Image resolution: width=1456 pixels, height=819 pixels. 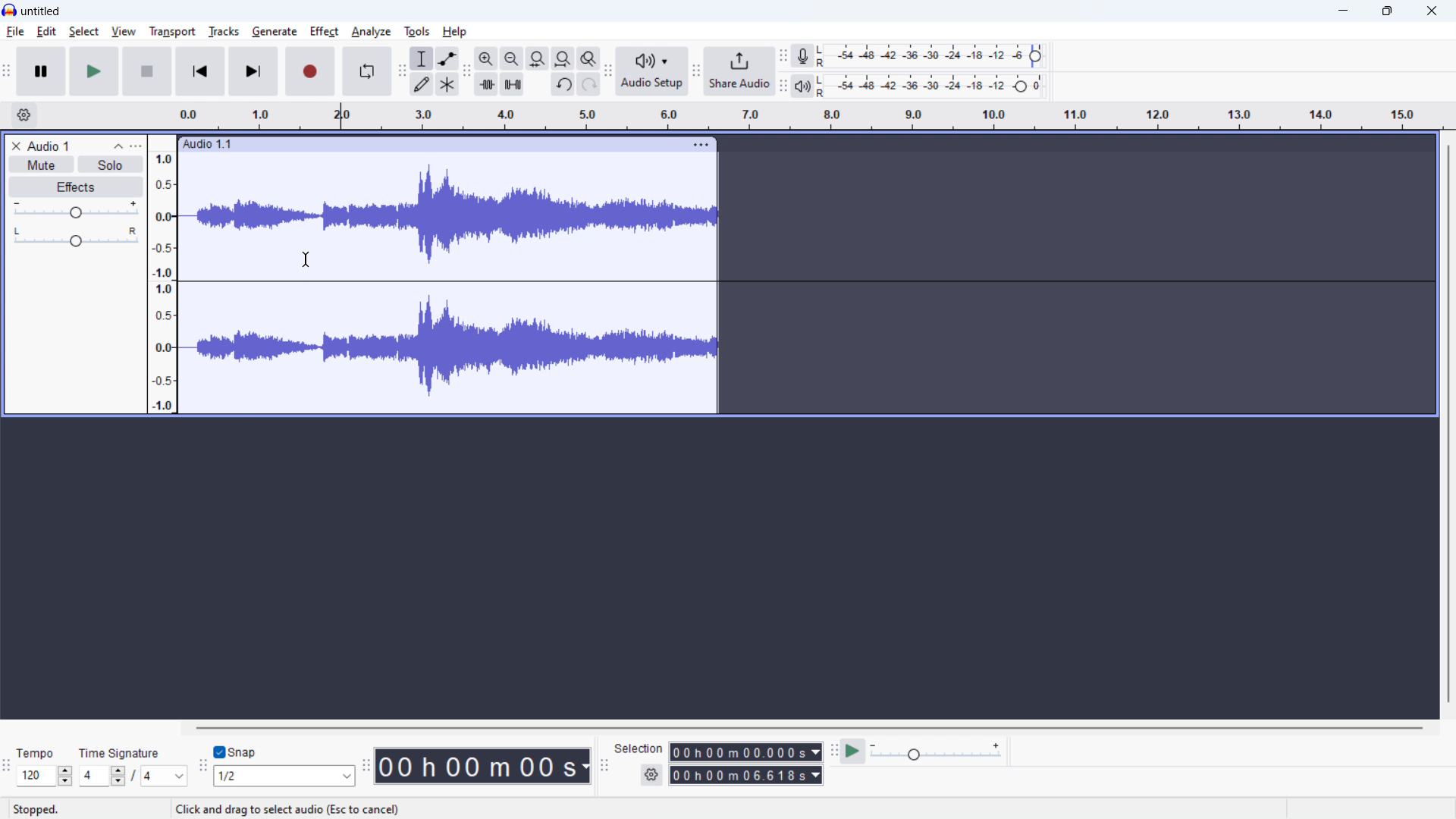 What do you see at coordinates (309, 71) in the screenshot?
I see `record` at bounding box center [309, 71].